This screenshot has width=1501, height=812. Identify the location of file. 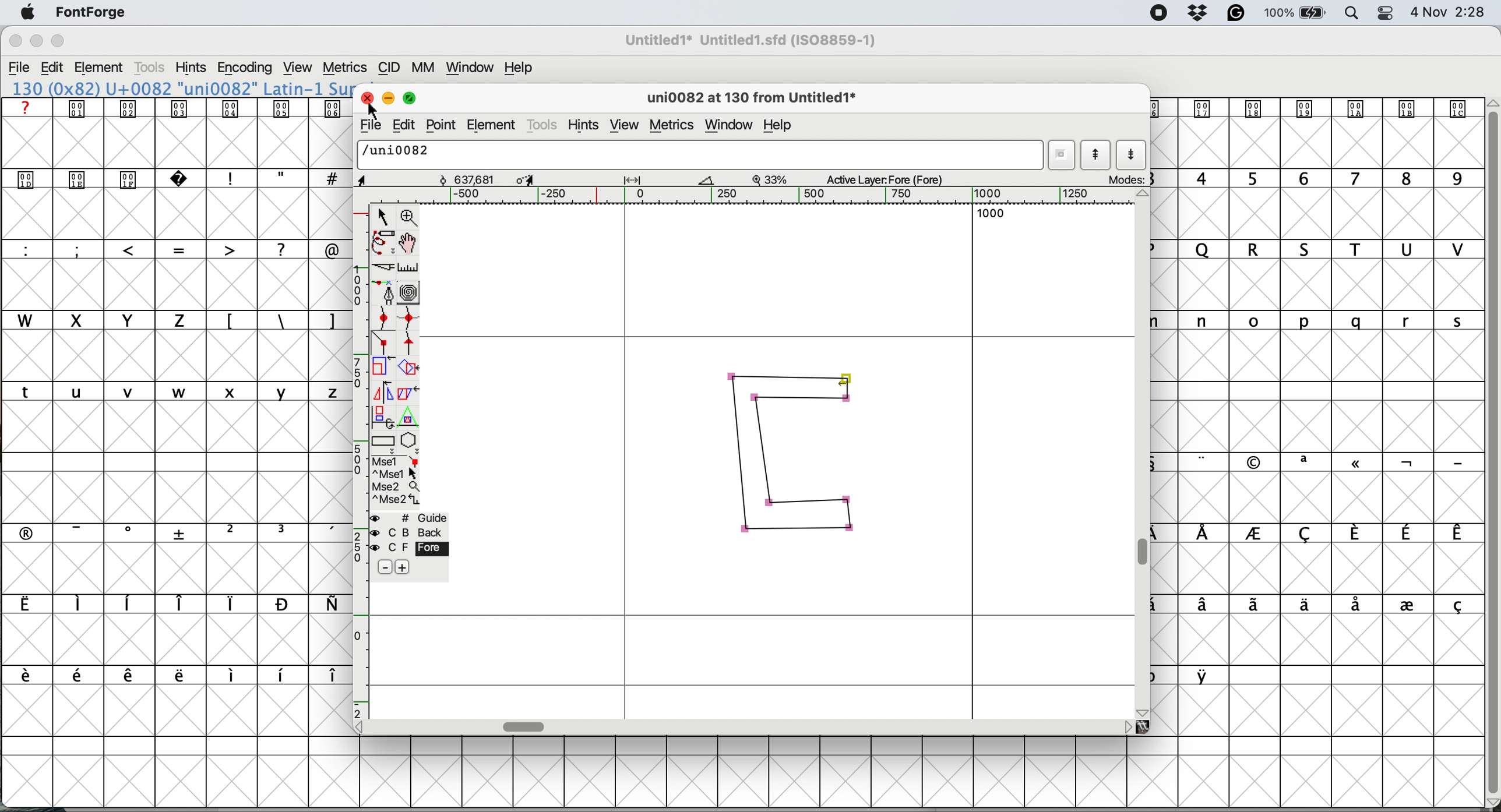
(369, 125).